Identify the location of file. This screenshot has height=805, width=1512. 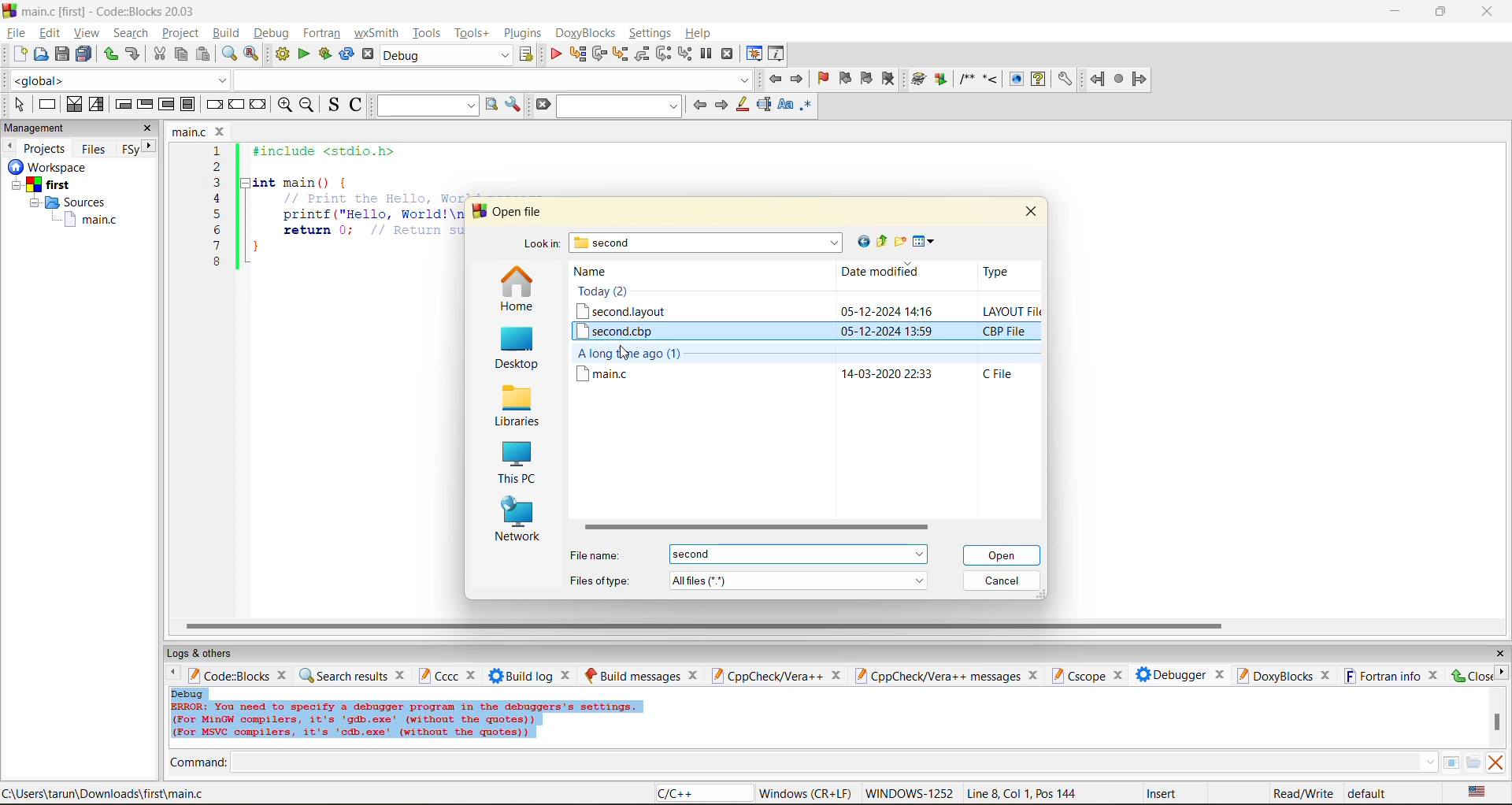
(15, 31).